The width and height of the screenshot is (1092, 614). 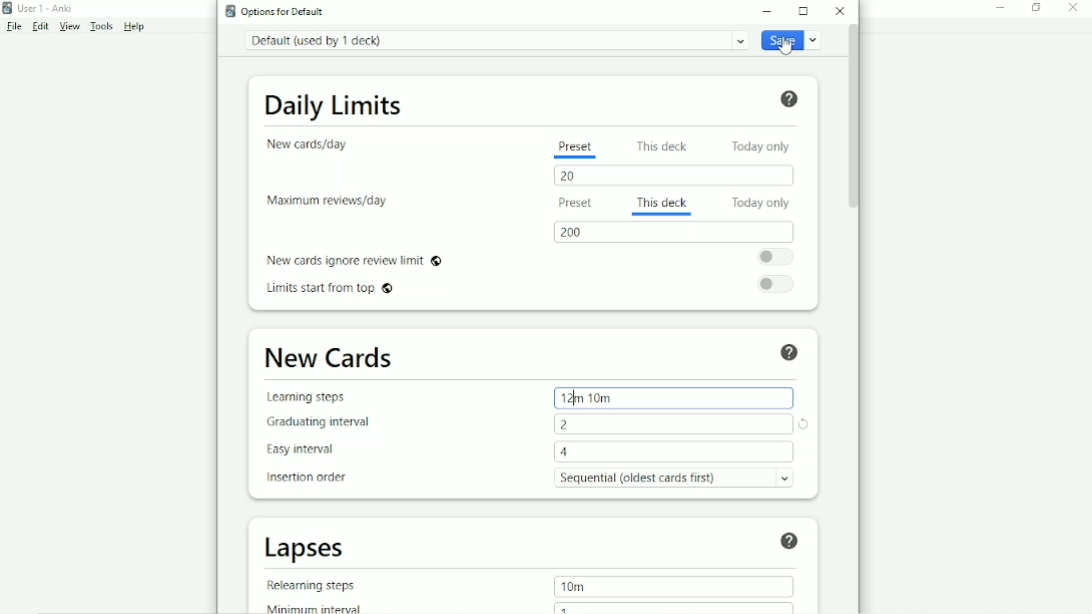 I want to click on This deck, so click(x=661, y=205).